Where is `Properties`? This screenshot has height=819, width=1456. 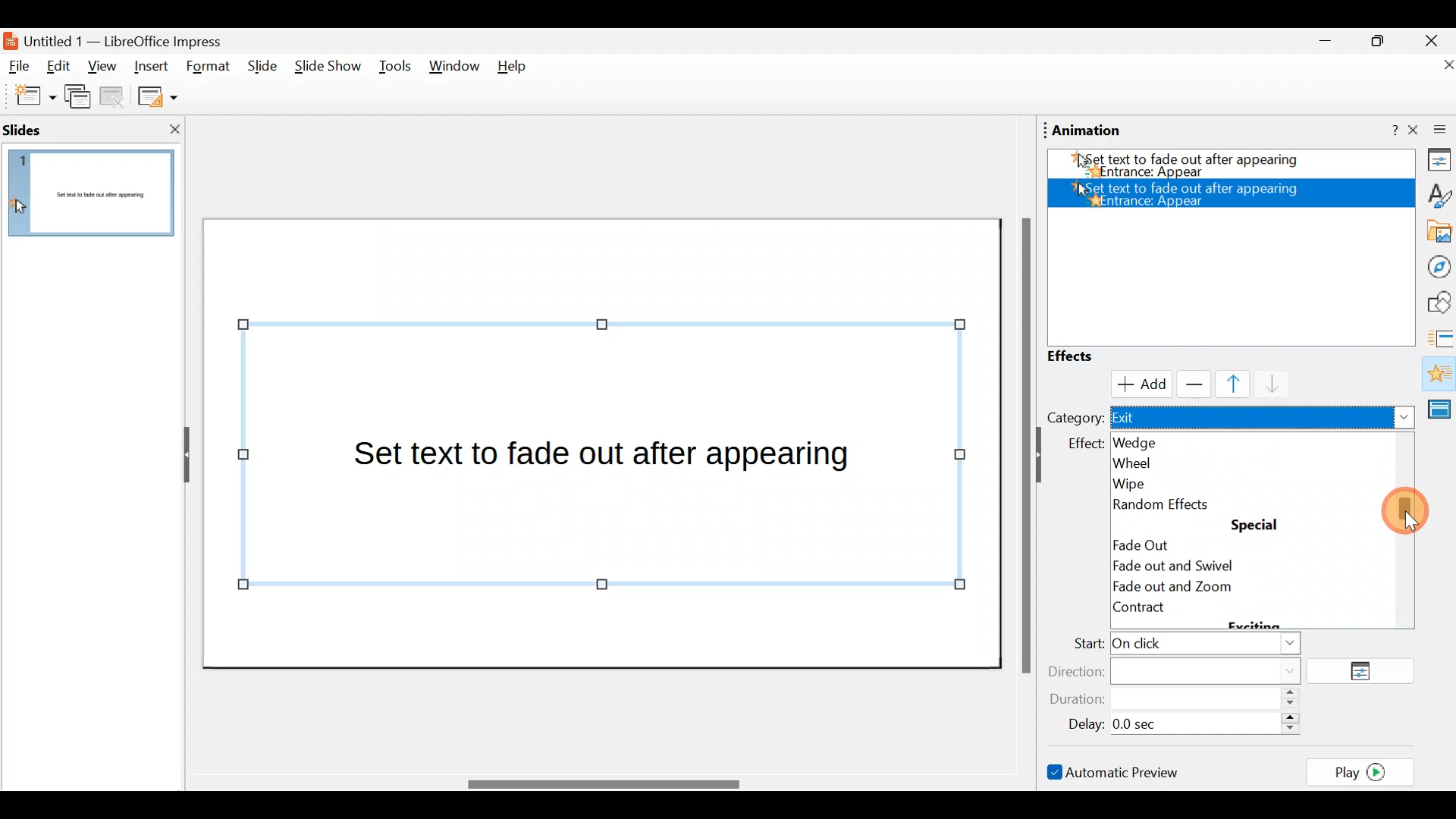 Properties is located at coordinates (1435, 162).